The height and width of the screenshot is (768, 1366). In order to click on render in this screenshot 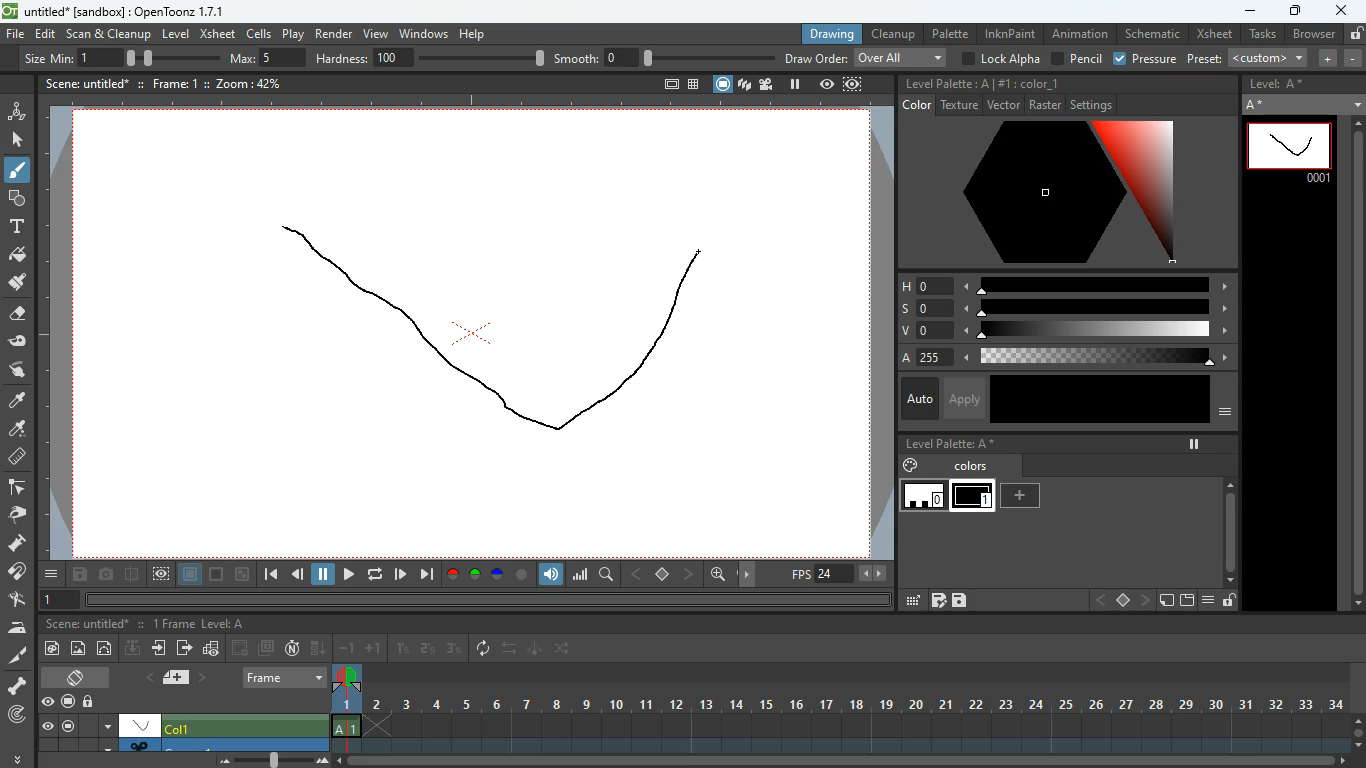, I will do `click(335, 32)`.